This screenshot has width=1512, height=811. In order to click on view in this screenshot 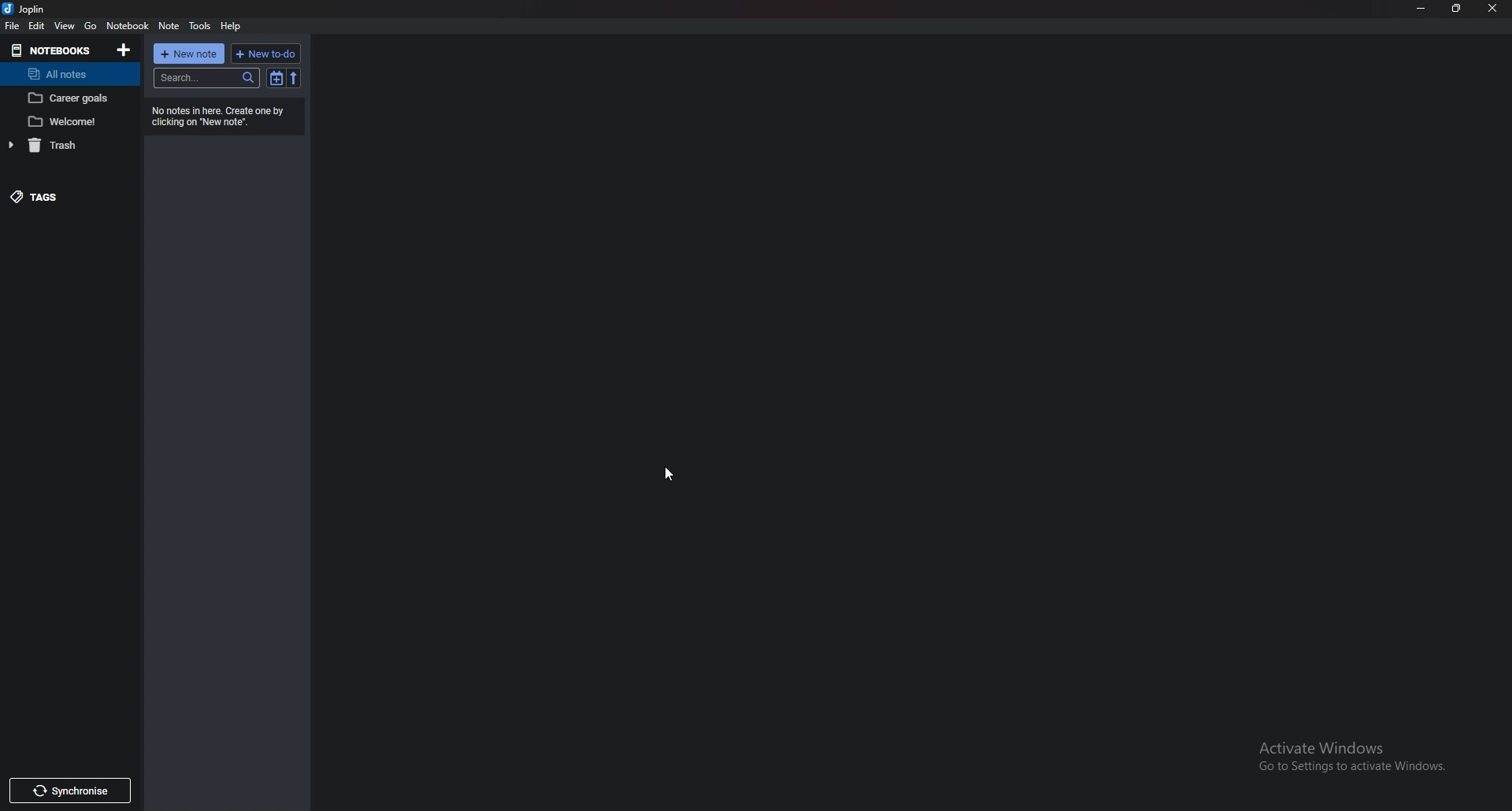, I will do `click(65, 26)`.